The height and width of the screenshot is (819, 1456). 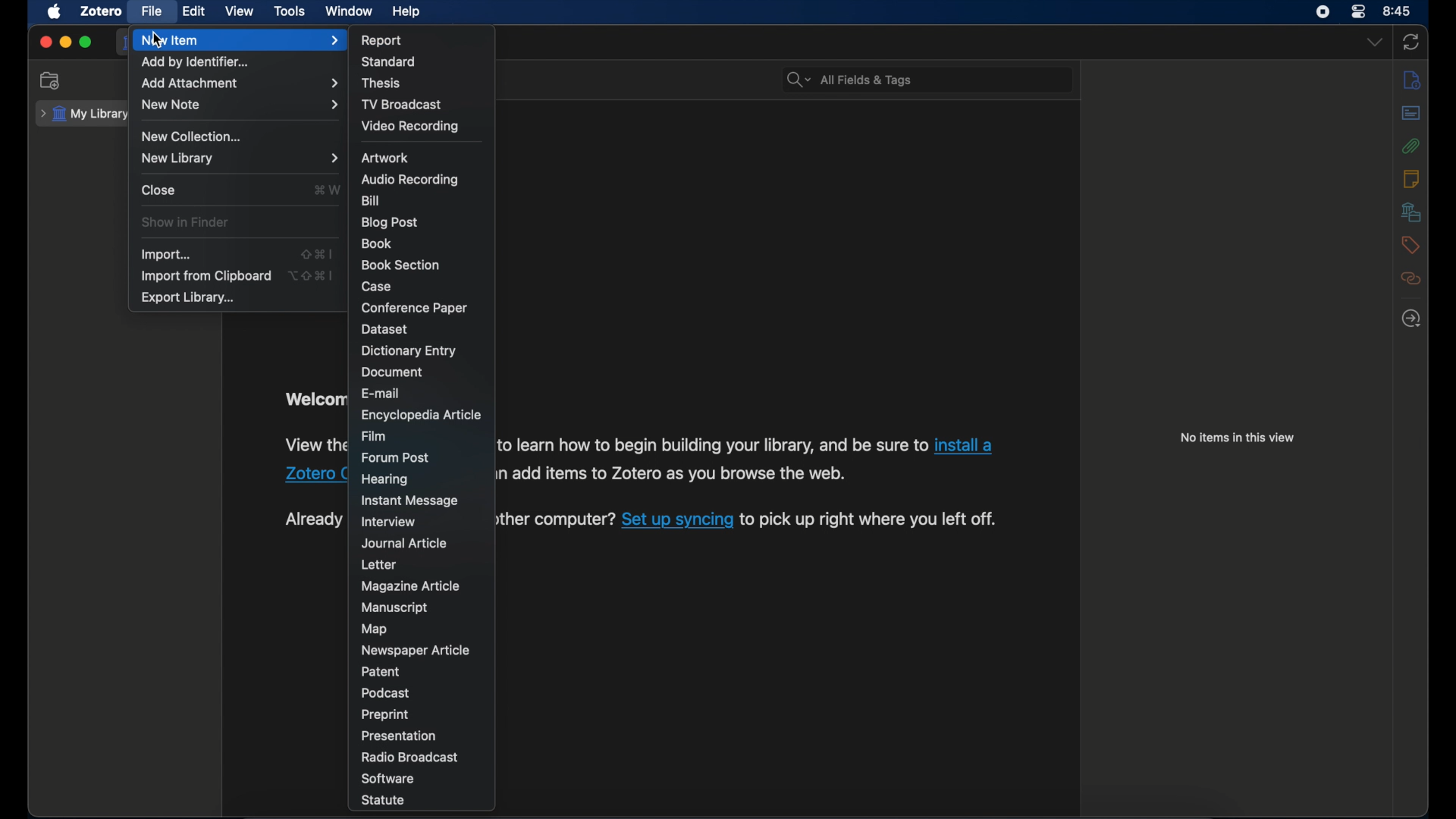 I want to click on no items in this view, so click(x=1238, y=437).